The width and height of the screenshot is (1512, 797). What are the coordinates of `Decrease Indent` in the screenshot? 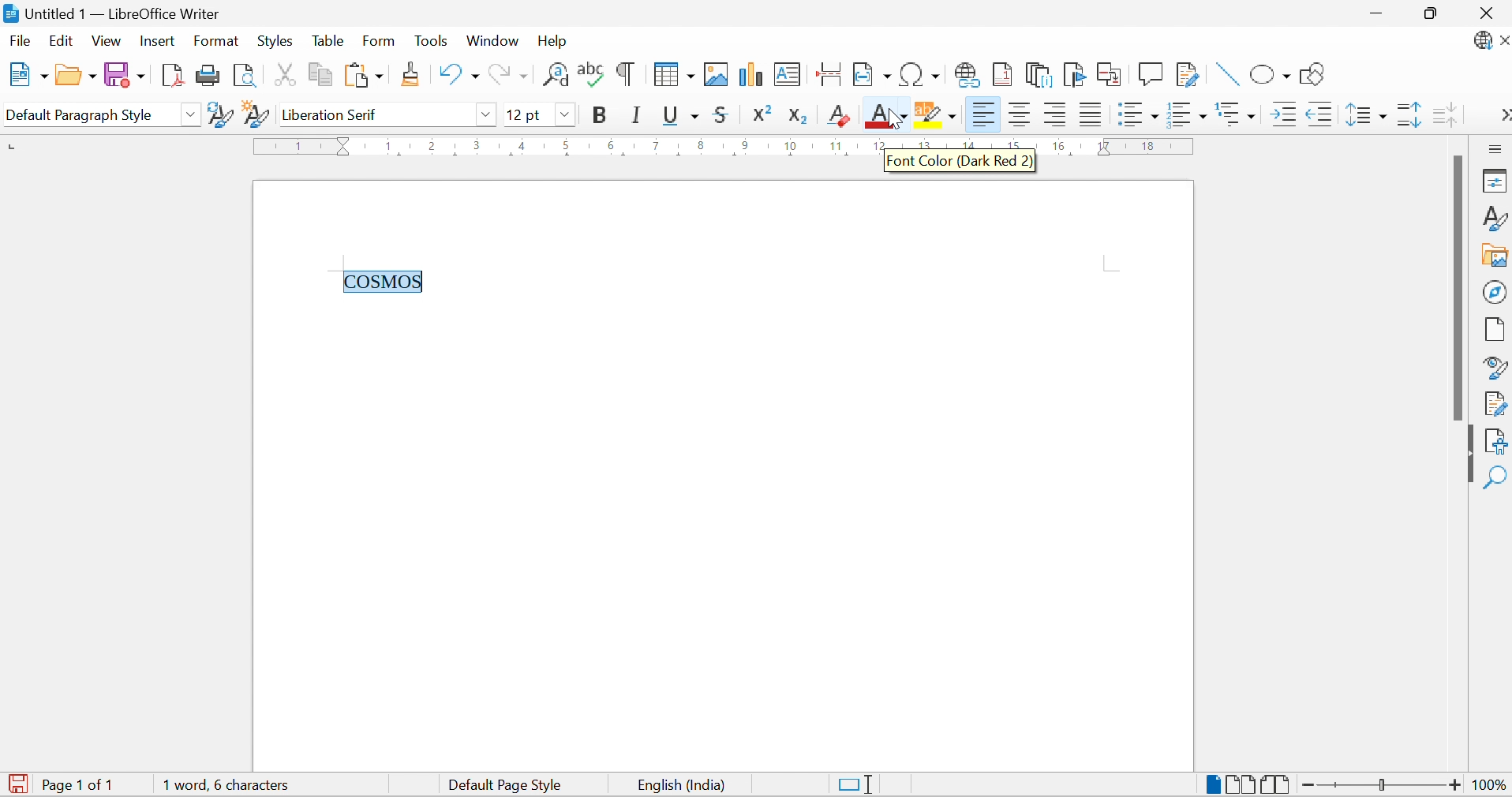 It's located at (1319, 115).